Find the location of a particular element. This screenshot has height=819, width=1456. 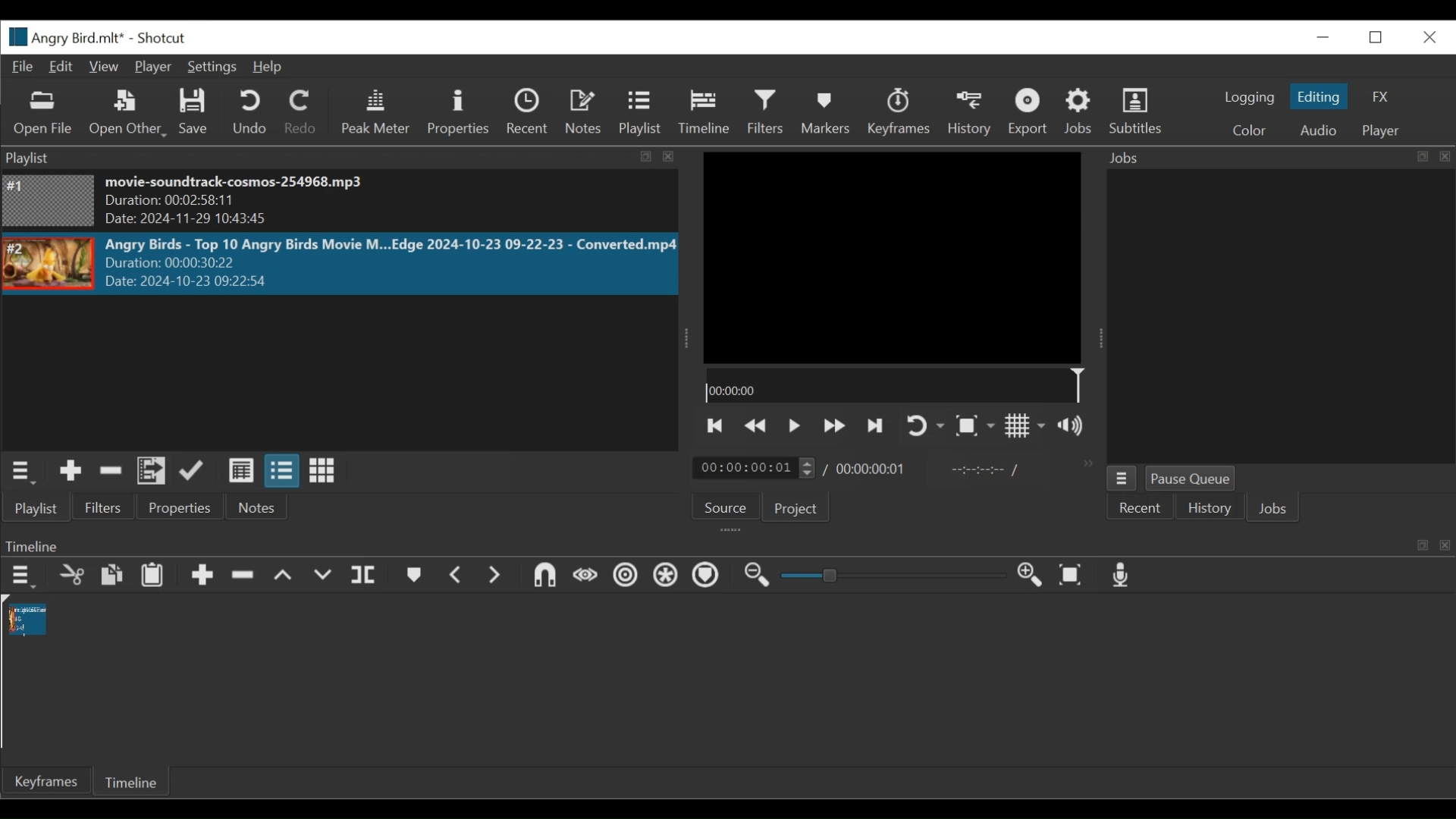

History is located at coordinates (1209, 508).